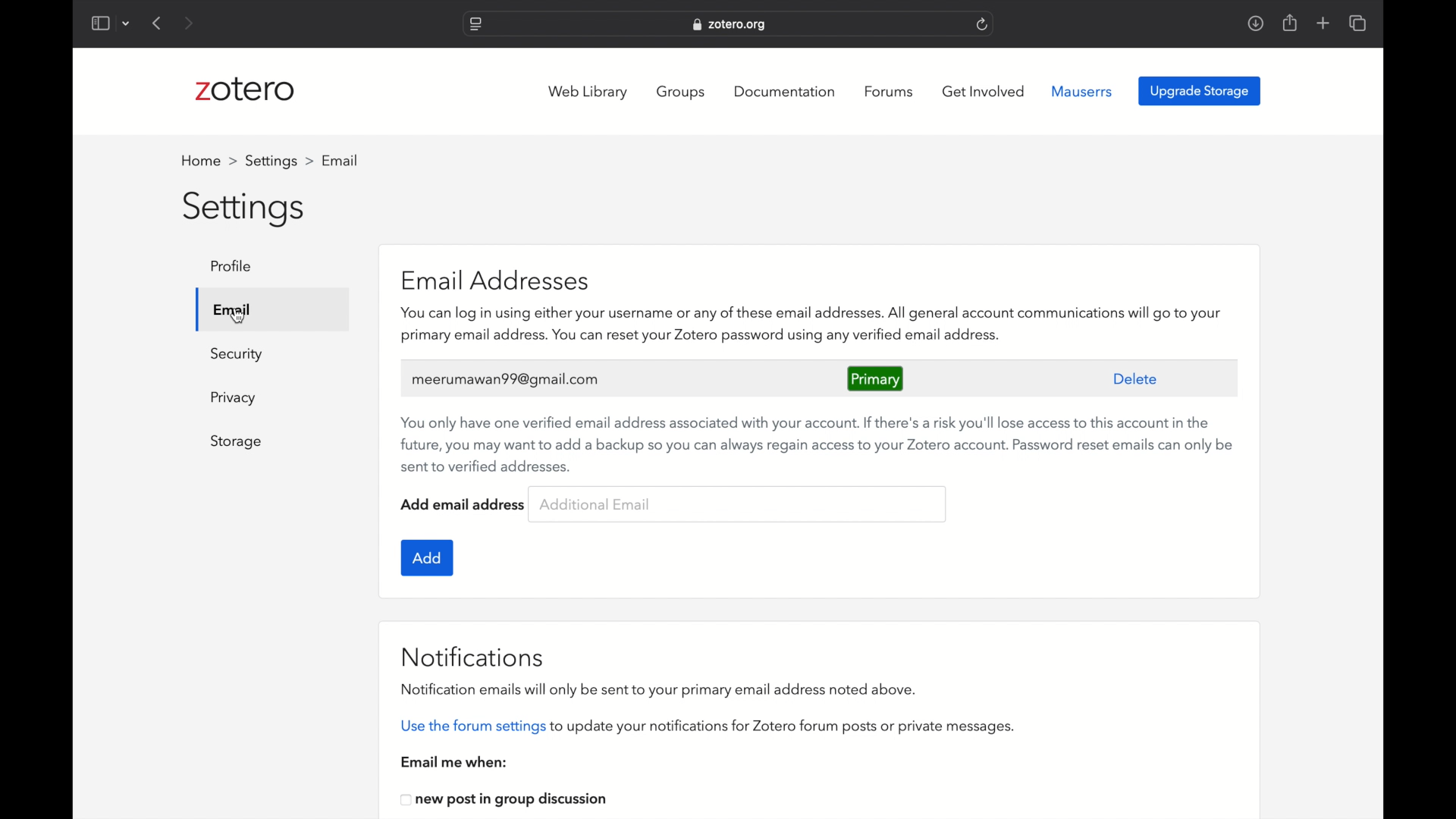  What do you see at coordinates (206, 160) in the screenshot?
I see `home` at bounding box center [206, 160].